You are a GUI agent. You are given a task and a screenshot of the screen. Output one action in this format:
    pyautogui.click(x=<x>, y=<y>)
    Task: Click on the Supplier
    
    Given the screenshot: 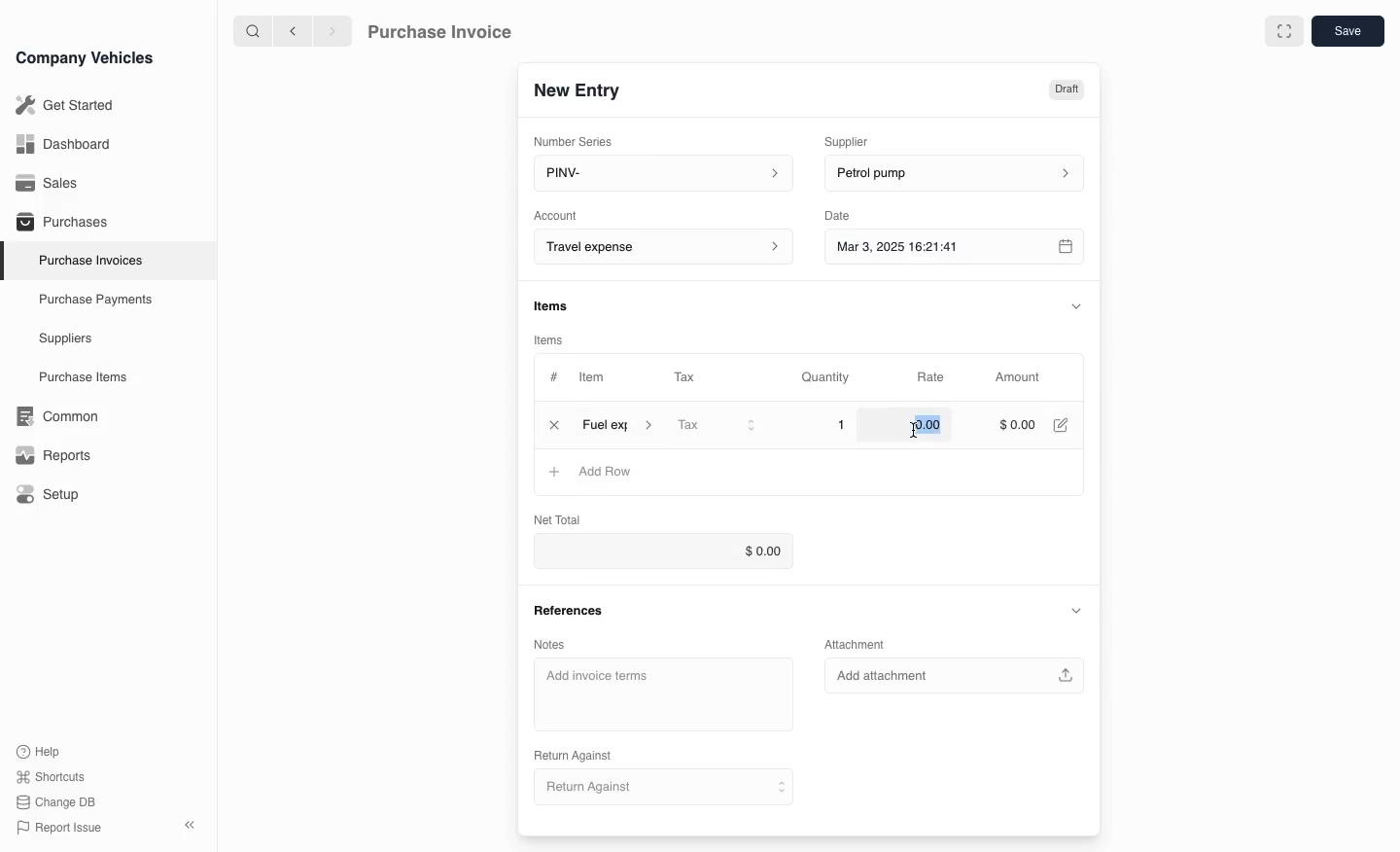 What is the action you would take?
    pyautogui.click(x=859, y=139)
    